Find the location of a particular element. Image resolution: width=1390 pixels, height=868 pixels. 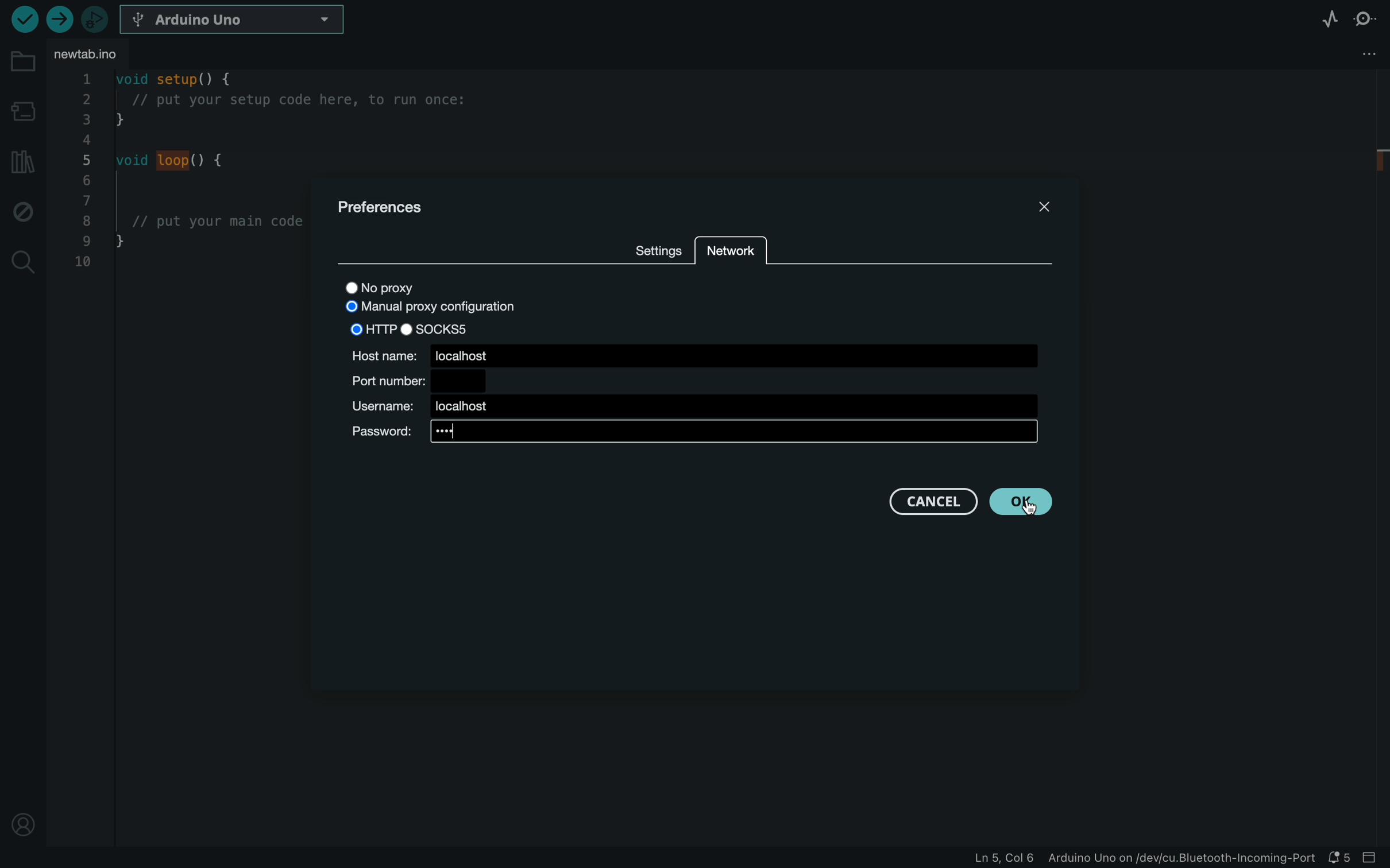

profile is located at coordinates (23, 826).